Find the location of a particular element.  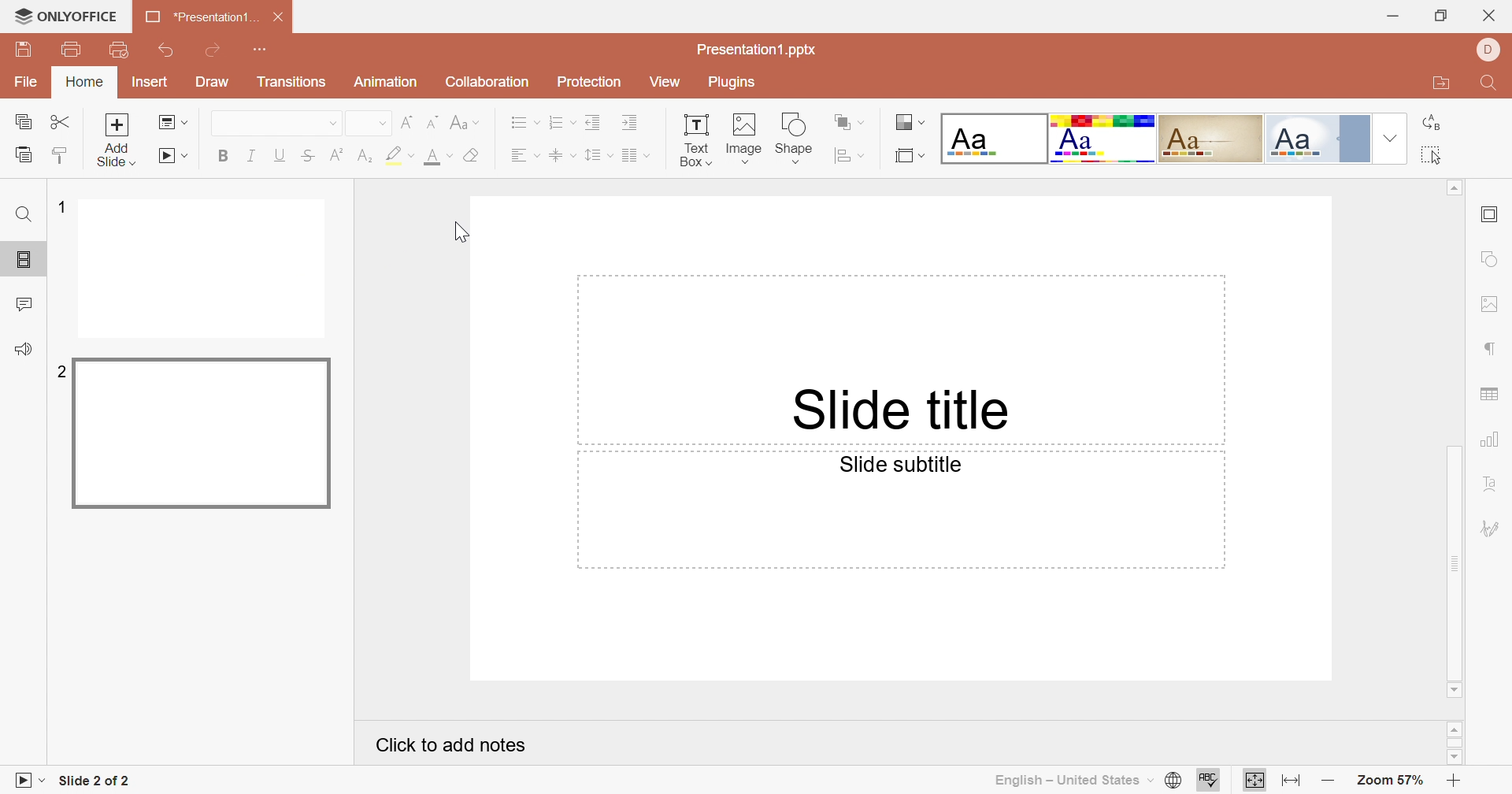

Protection is located at coordinates (590, 83).